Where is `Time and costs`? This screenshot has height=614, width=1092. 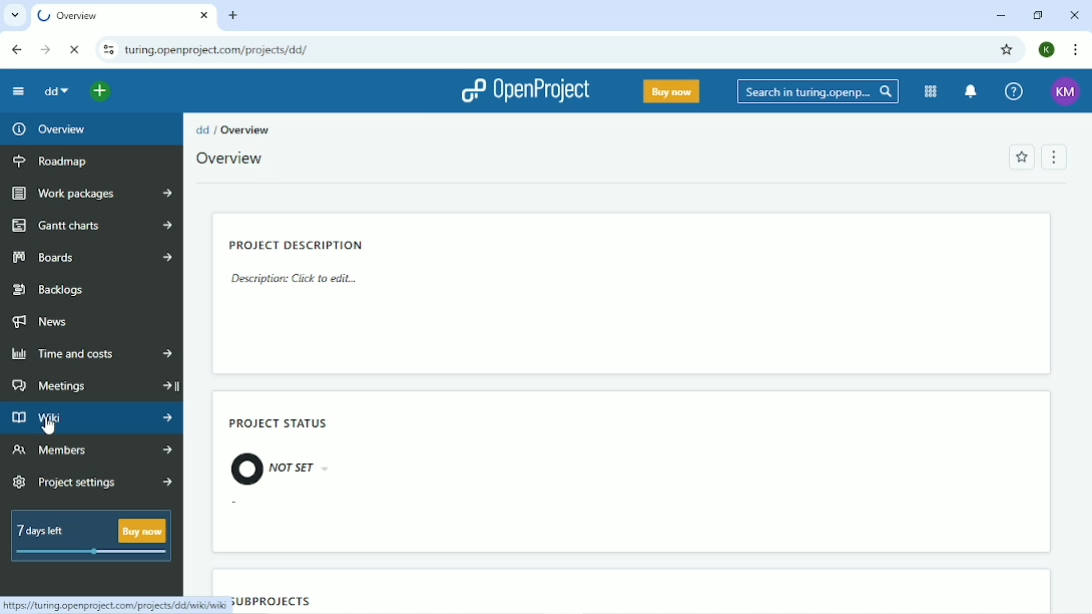 Time and costs is located at coordinates (73, 353).